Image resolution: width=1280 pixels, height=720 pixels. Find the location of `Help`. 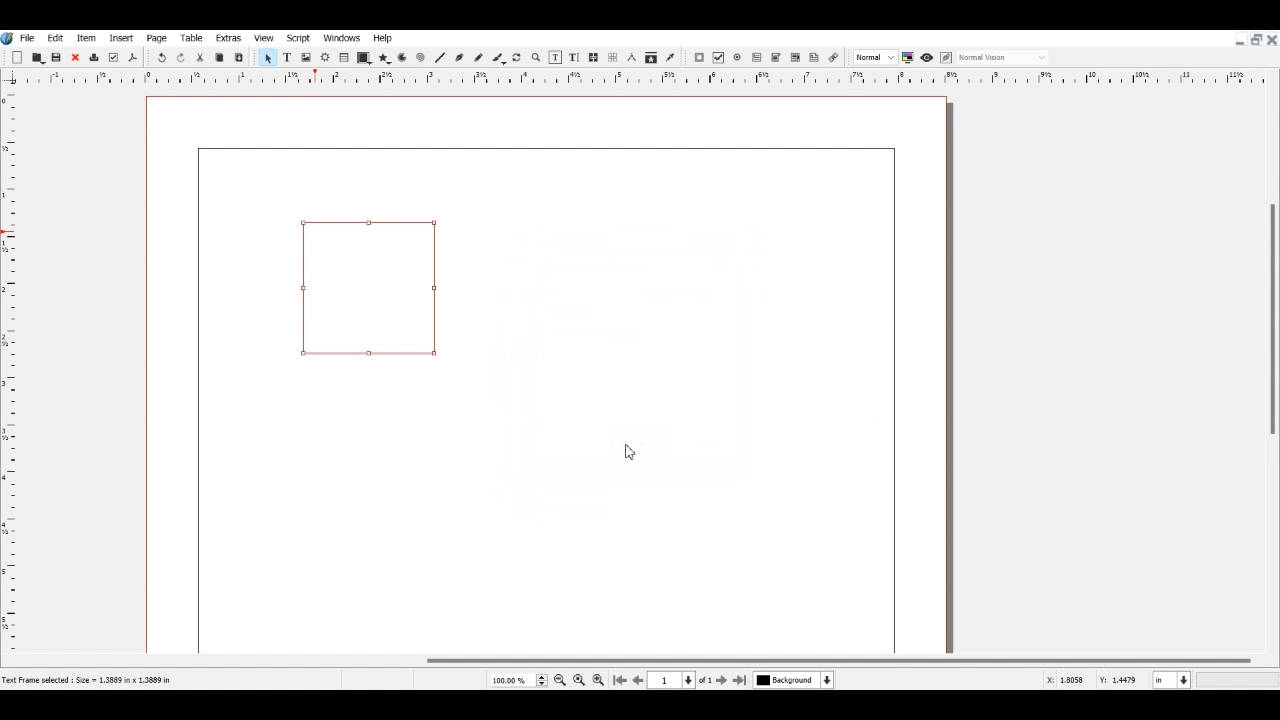

Help is located at coordinates (383, 38).